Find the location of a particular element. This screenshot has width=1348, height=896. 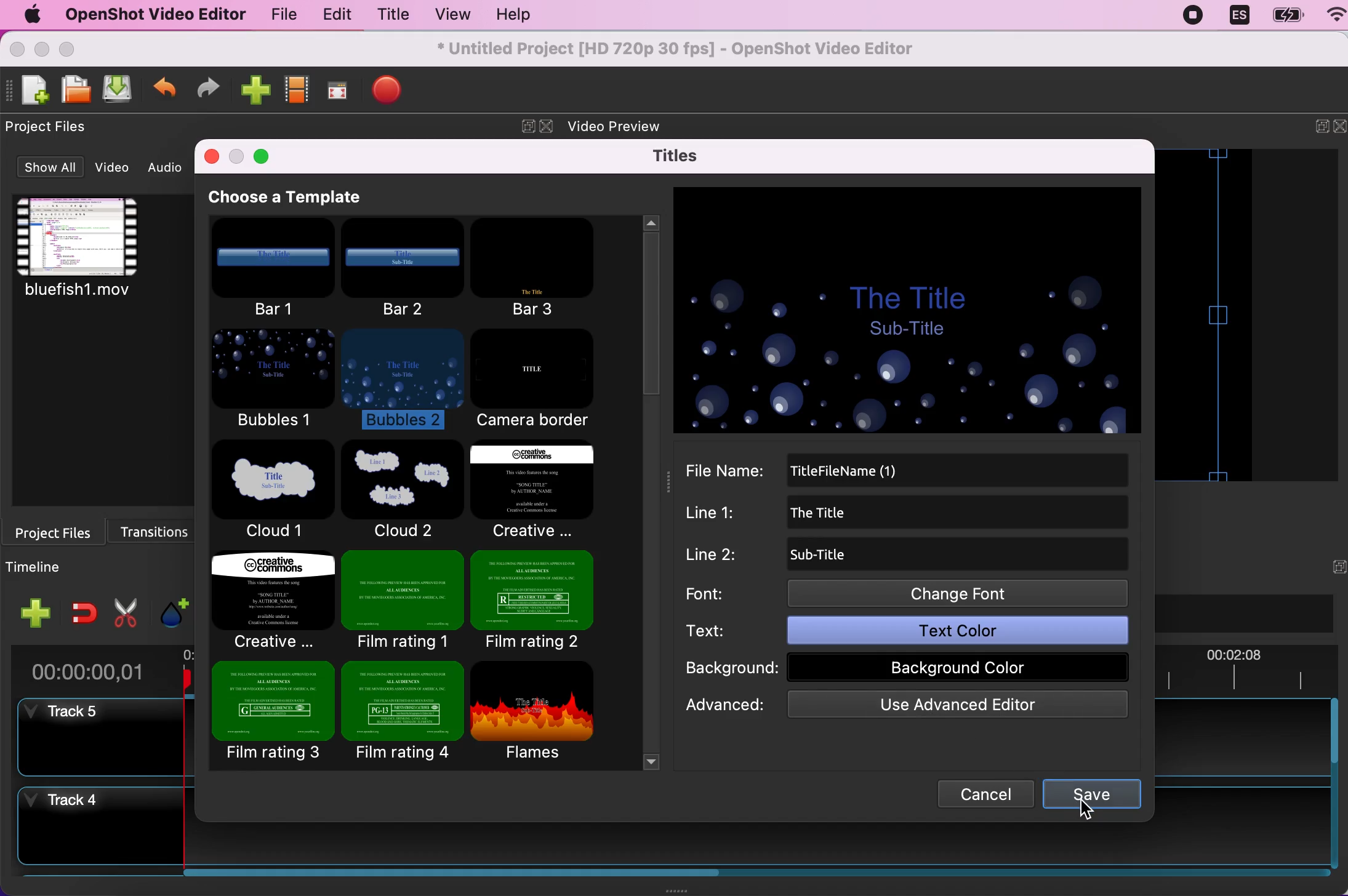

minimize is located at coordinates (237, 158).